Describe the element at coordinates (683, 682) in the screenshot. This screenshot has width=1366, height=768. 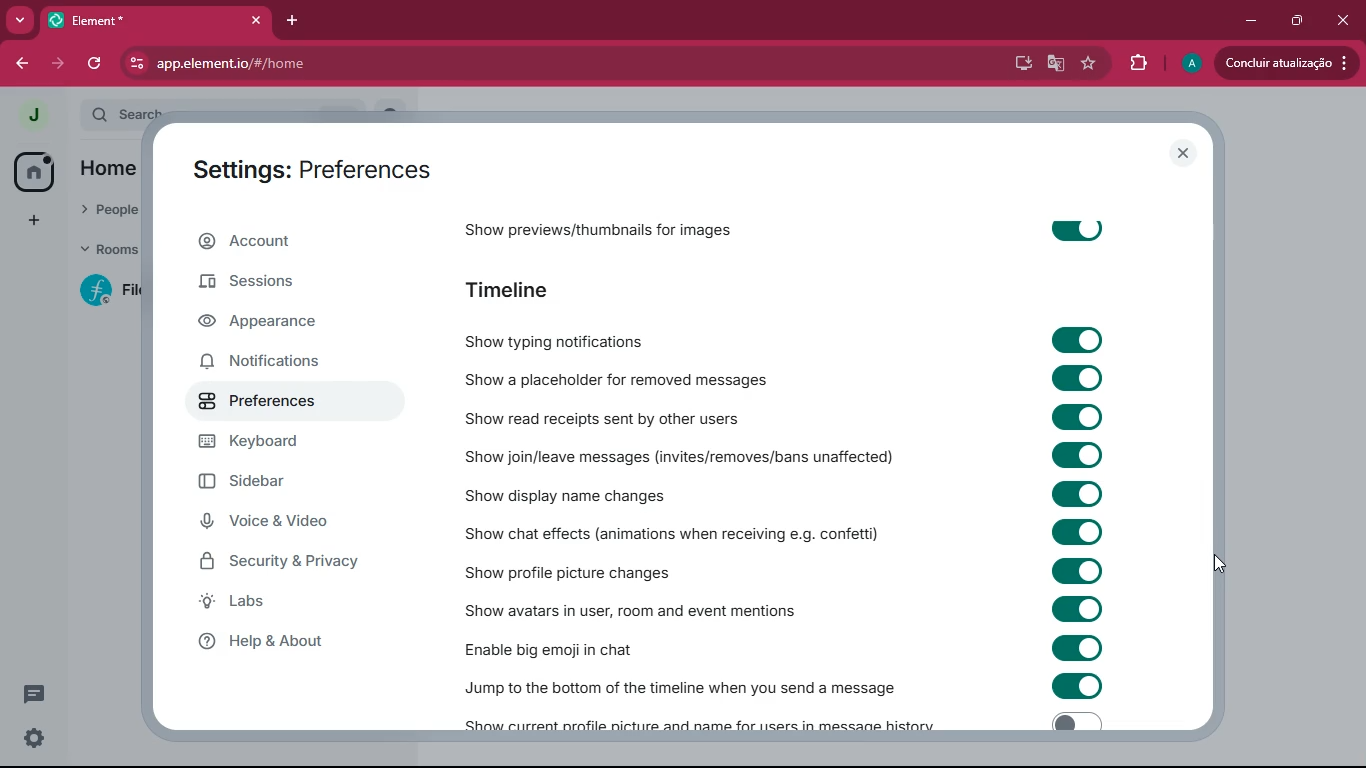
I see `jump to the bottom of the timeline when you send a message` at that location.